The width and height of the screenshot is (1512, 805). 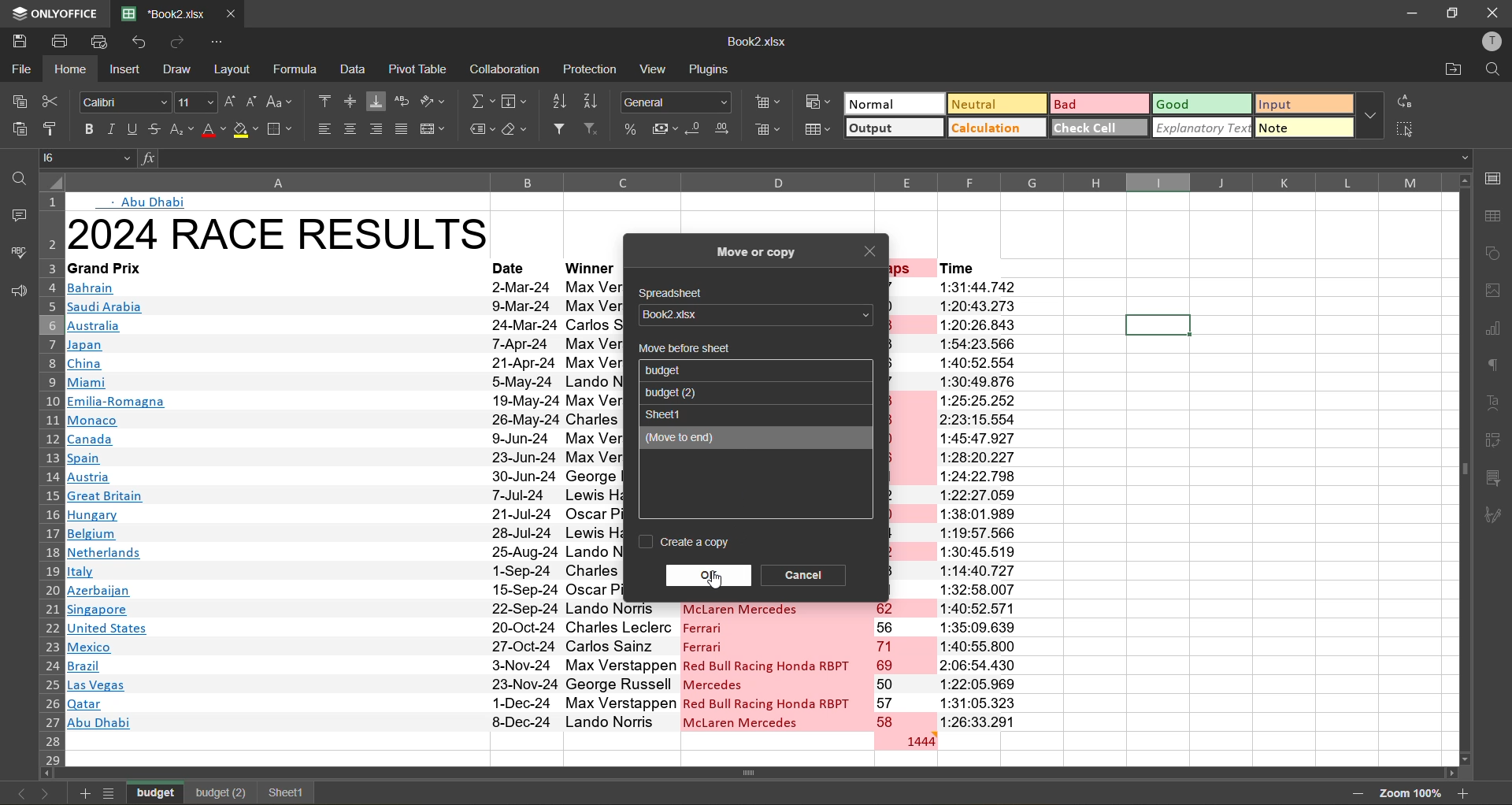 I want to click on print, so click(x=65, y=42).